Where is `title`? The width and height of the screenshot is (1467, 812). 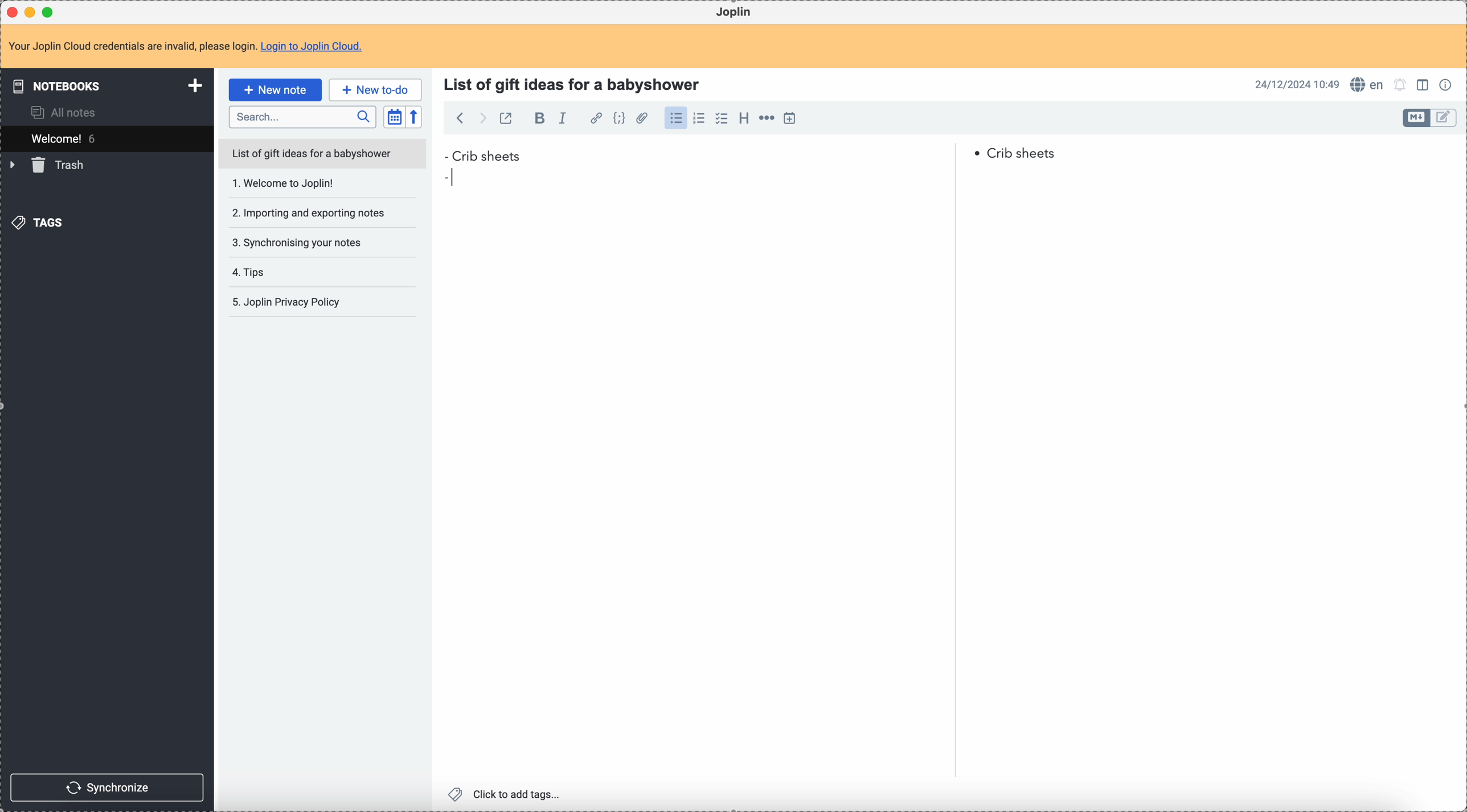 title is located at coordinates (575, 83).